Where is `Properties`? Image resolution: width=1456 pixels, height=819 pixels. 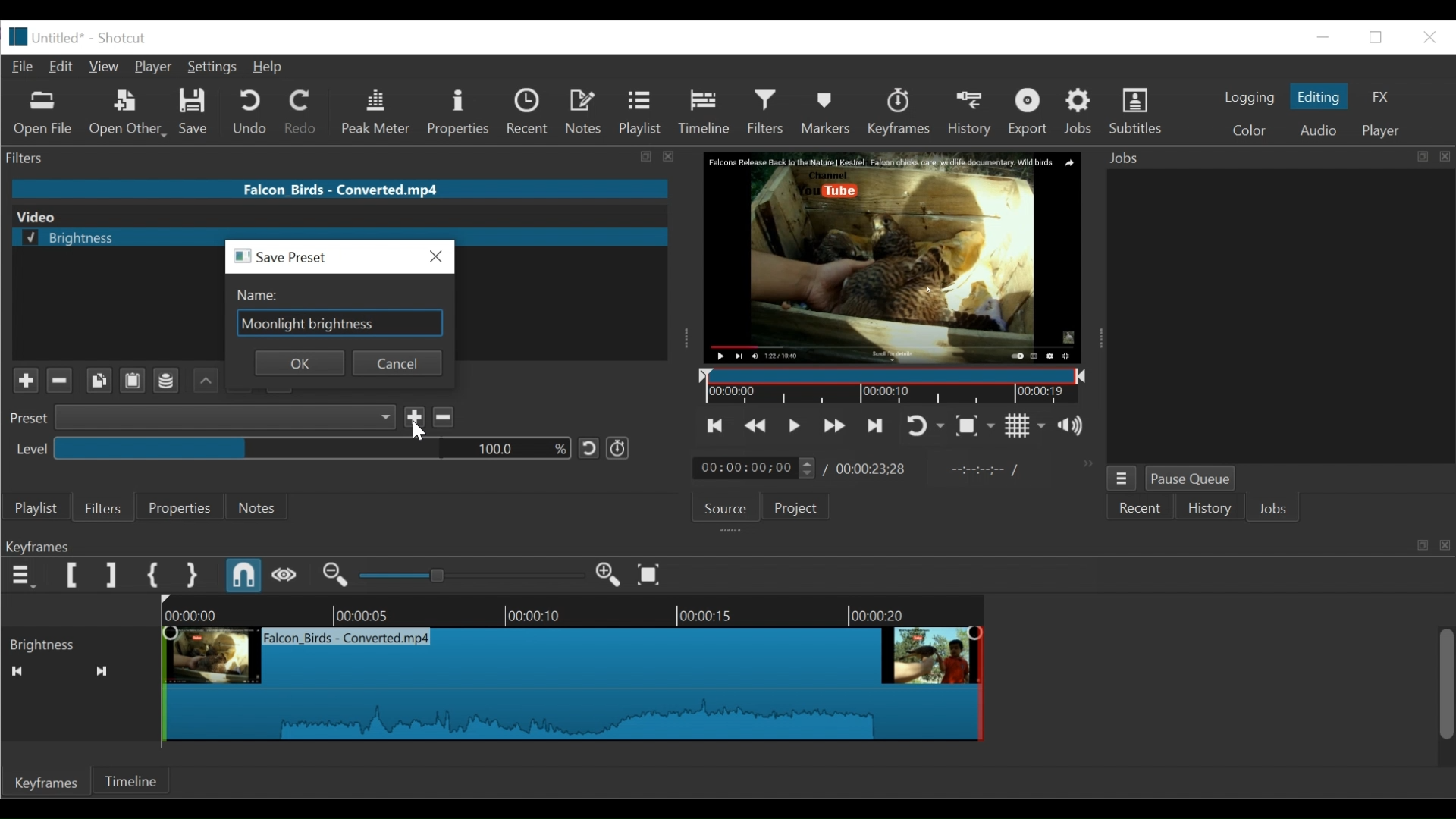
Properties is located at coordinates (459, 113).